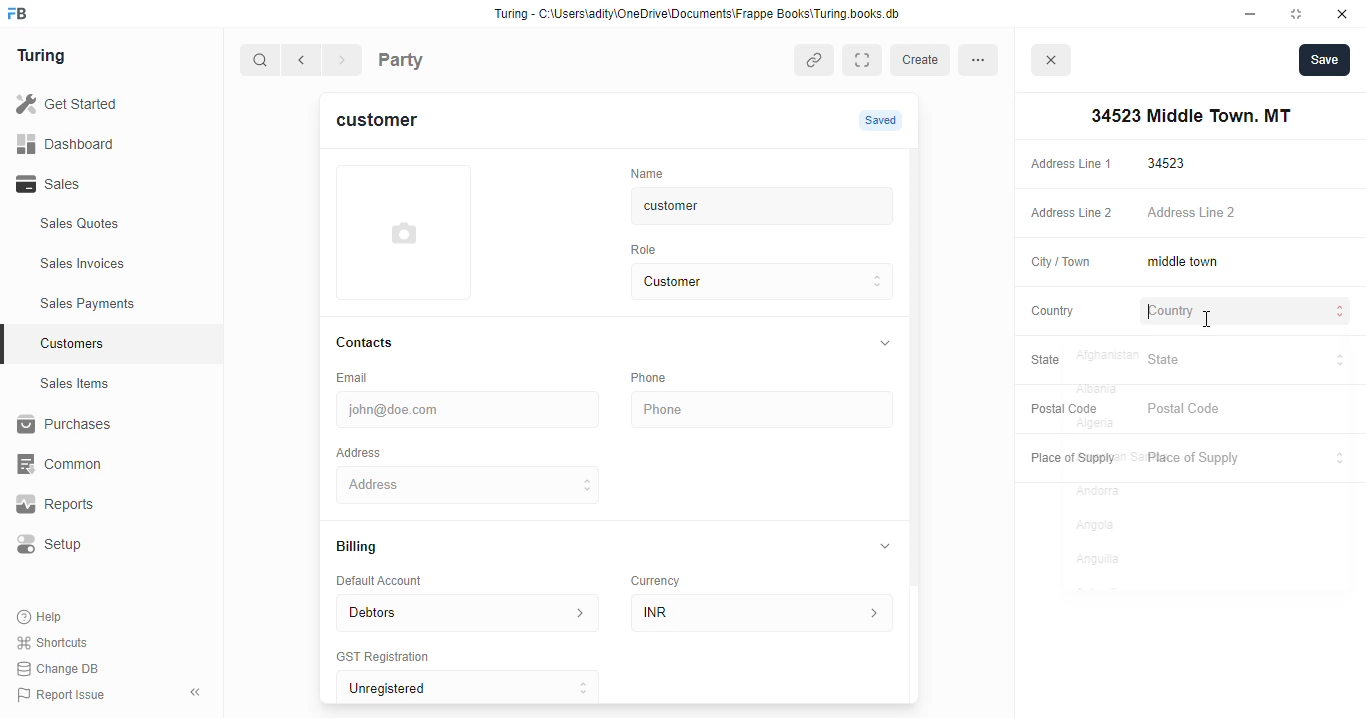  I want to click on Customers, so click(123, 341).